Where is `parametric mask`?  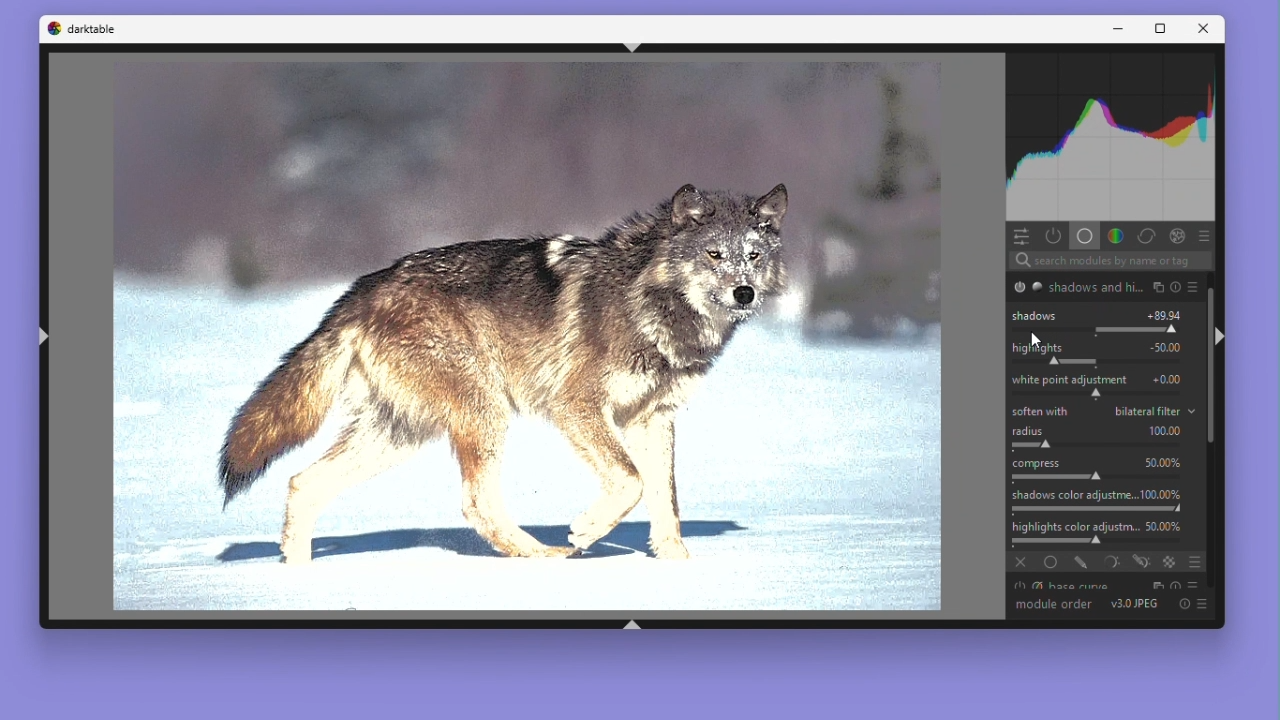
parametric mask is located at coordinates (1106, 562).